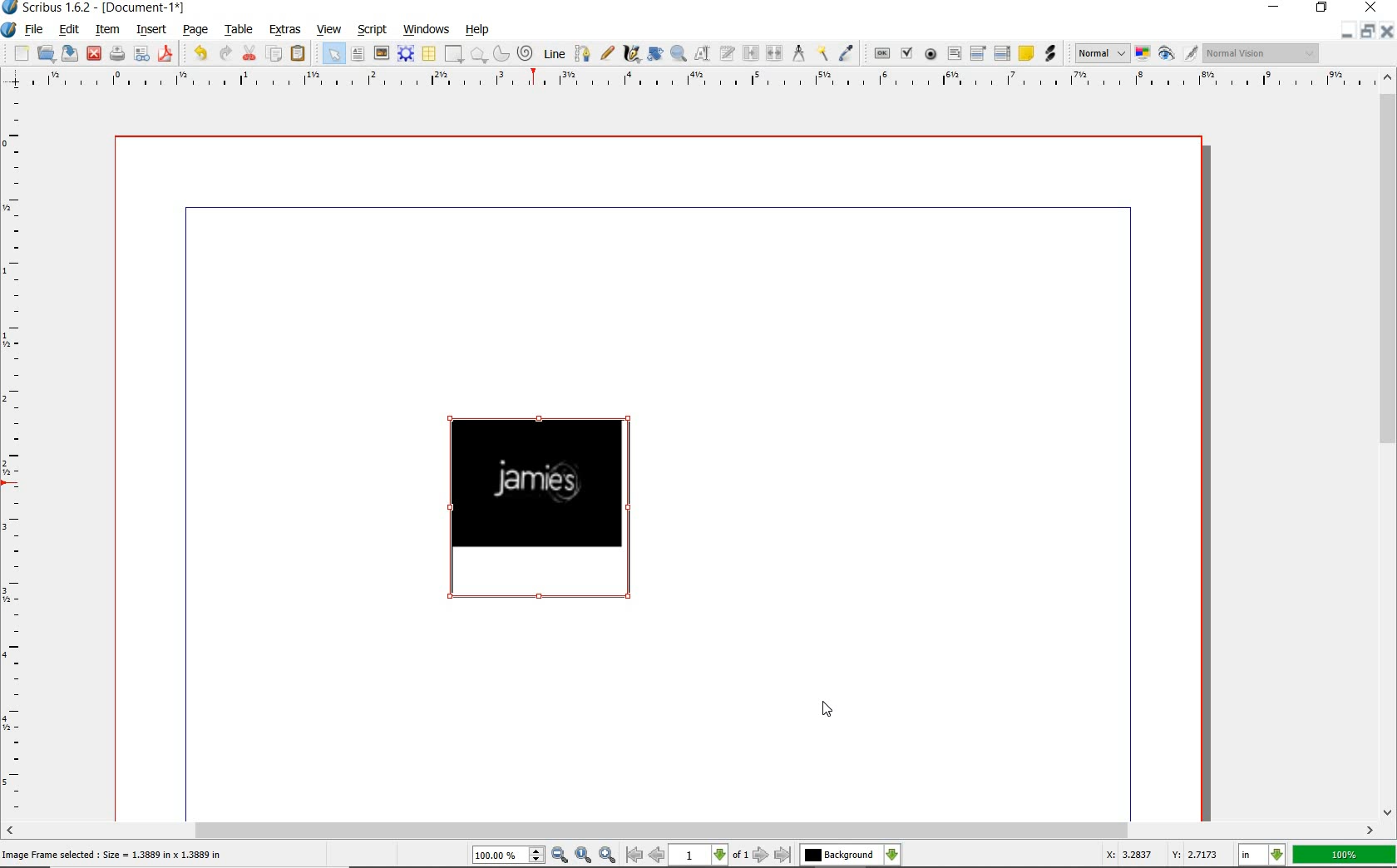  Describe the element at coordinates (17, 453) in the screenshot. I see `ruler` at that location.